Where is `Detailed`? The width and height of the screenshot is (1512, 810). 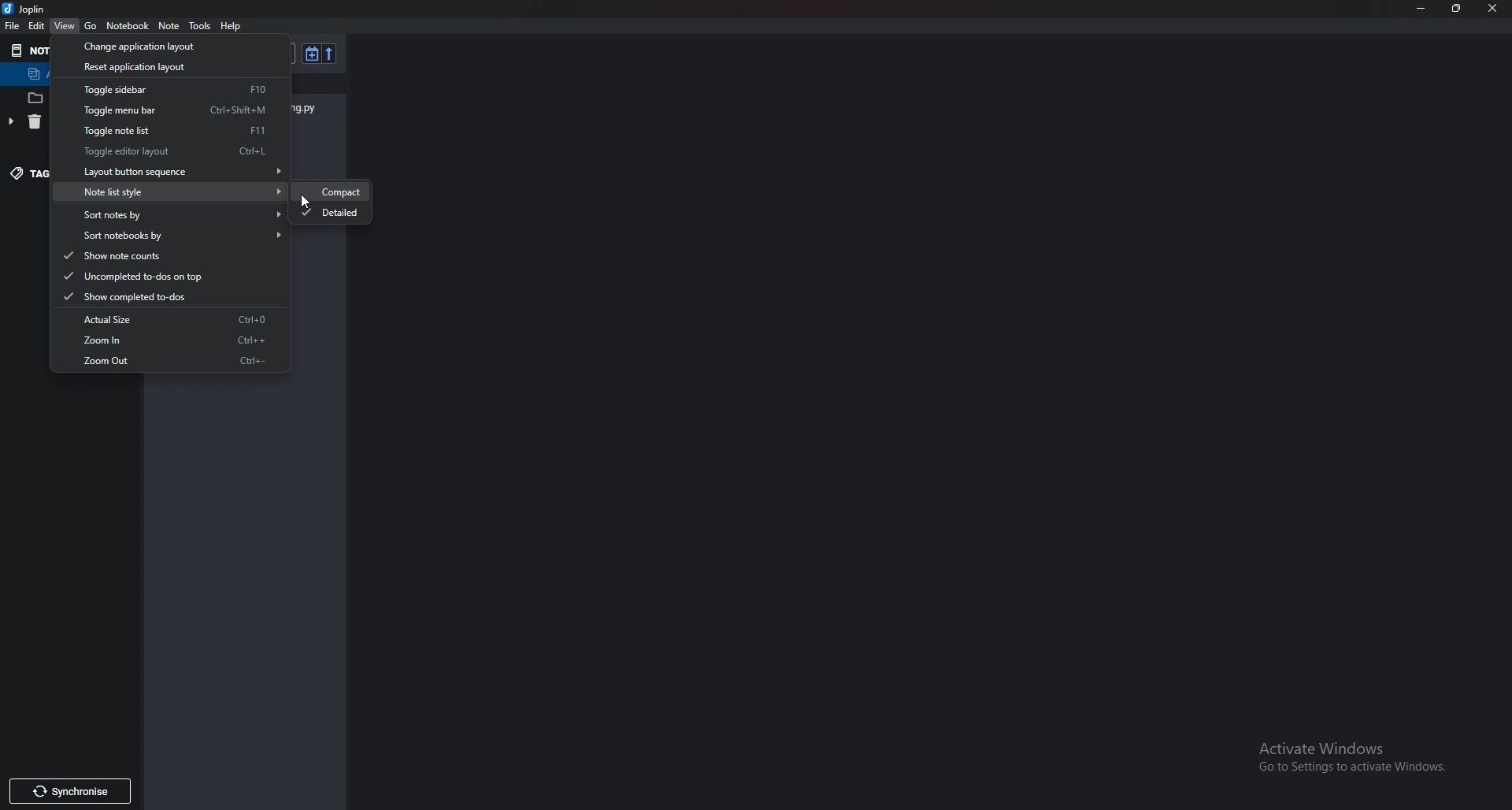 Detailed is located at coordinates (332, 213).